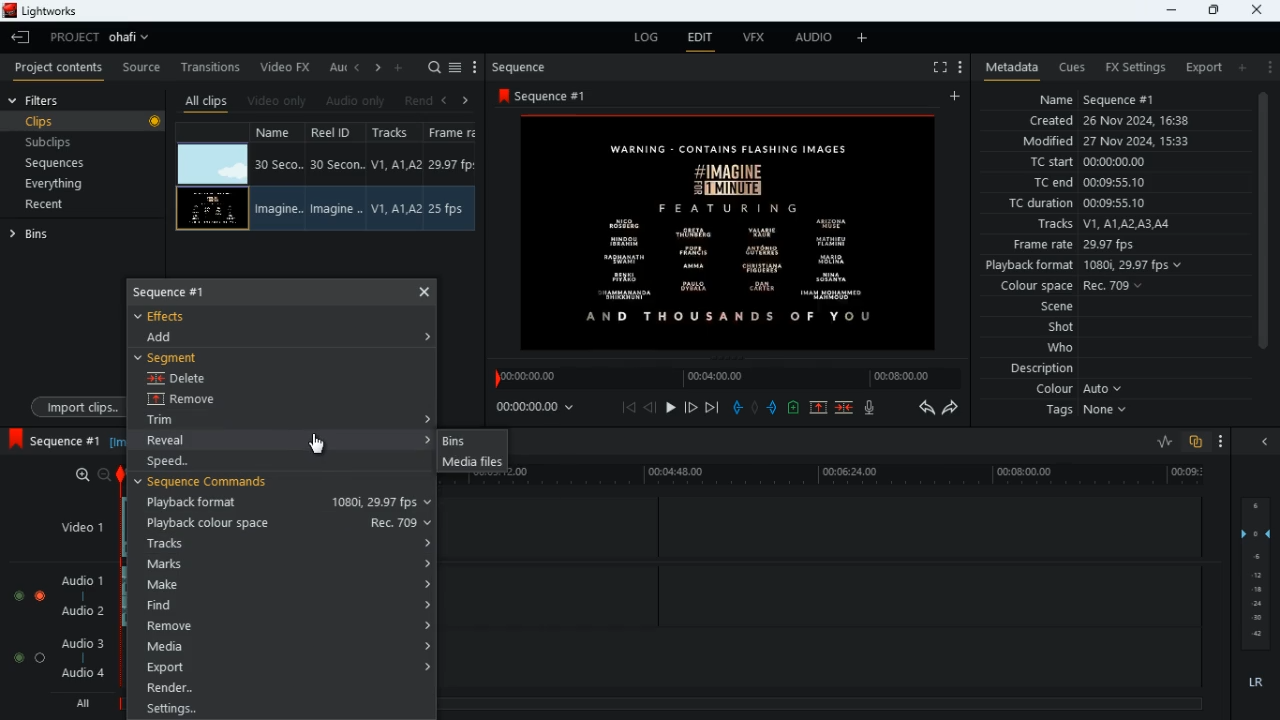 The width and height of the screenshot is (1280, 720). Describe the element at coordinates (1078, 285) in the screenshot. I see `colour space` at that location.